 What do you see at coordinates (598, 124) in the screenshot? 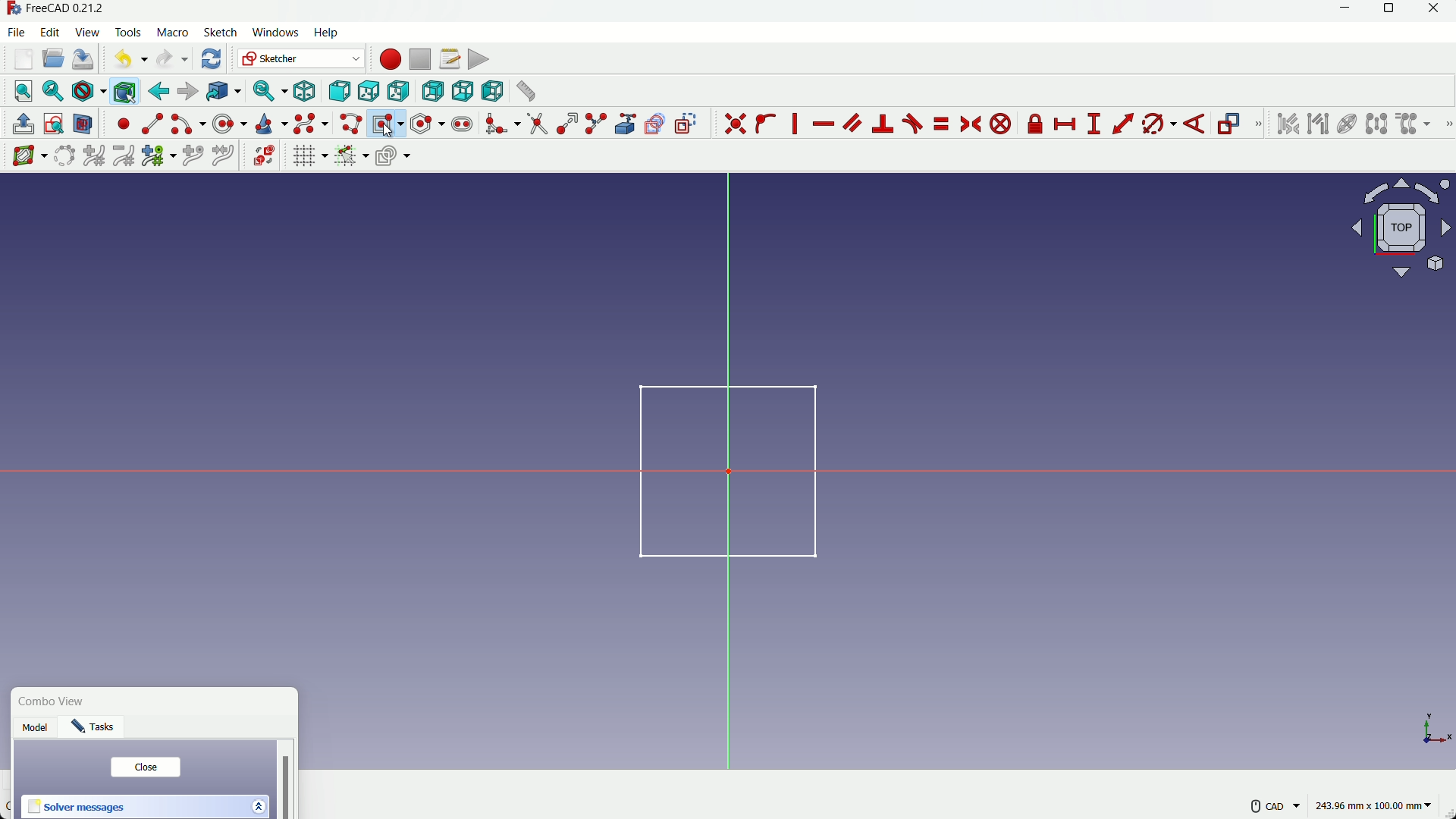
I see `split edge` at bounding box center [598, 124].